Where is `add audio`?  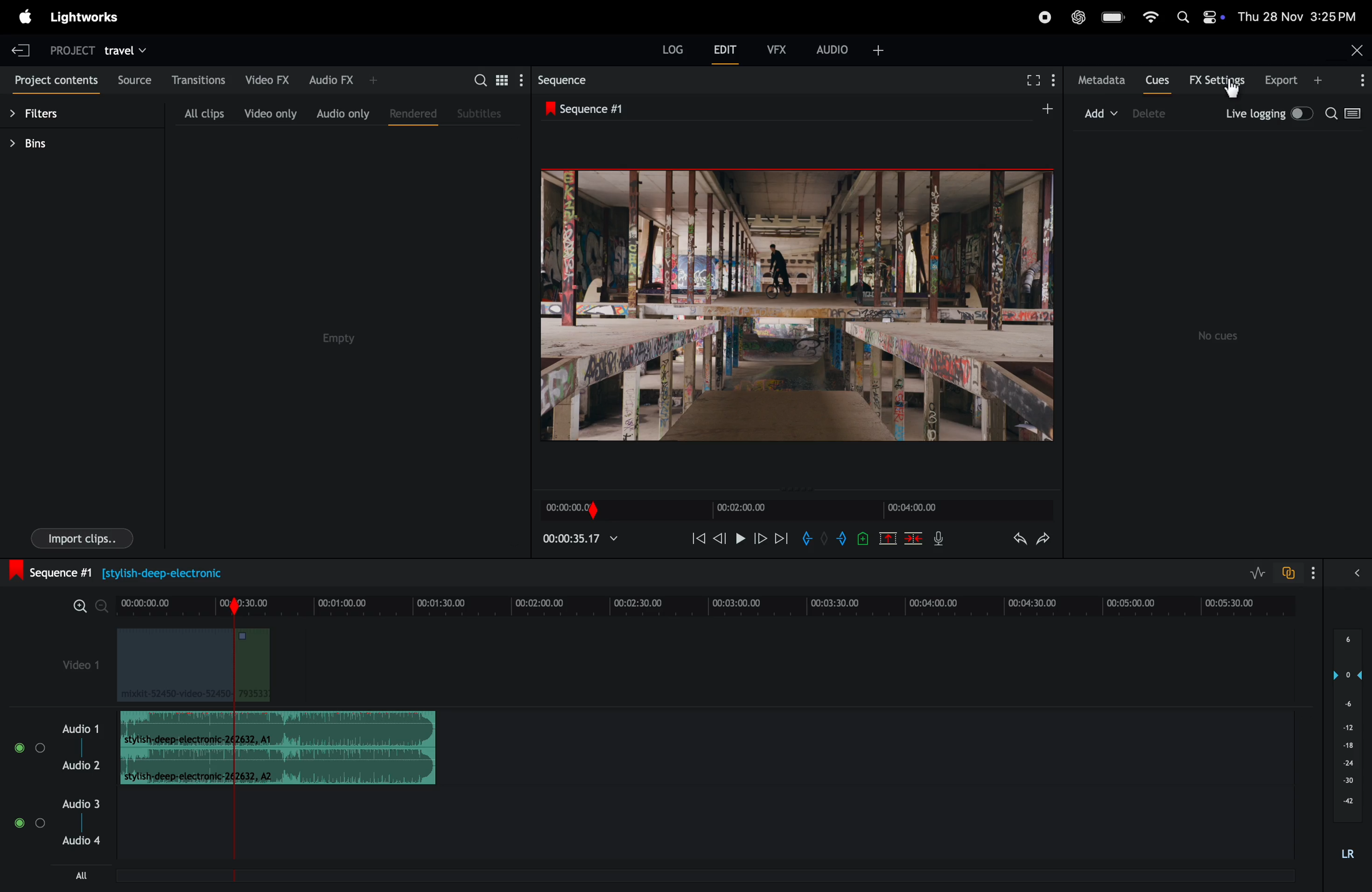 add audio is located at coordinates (849, 54).